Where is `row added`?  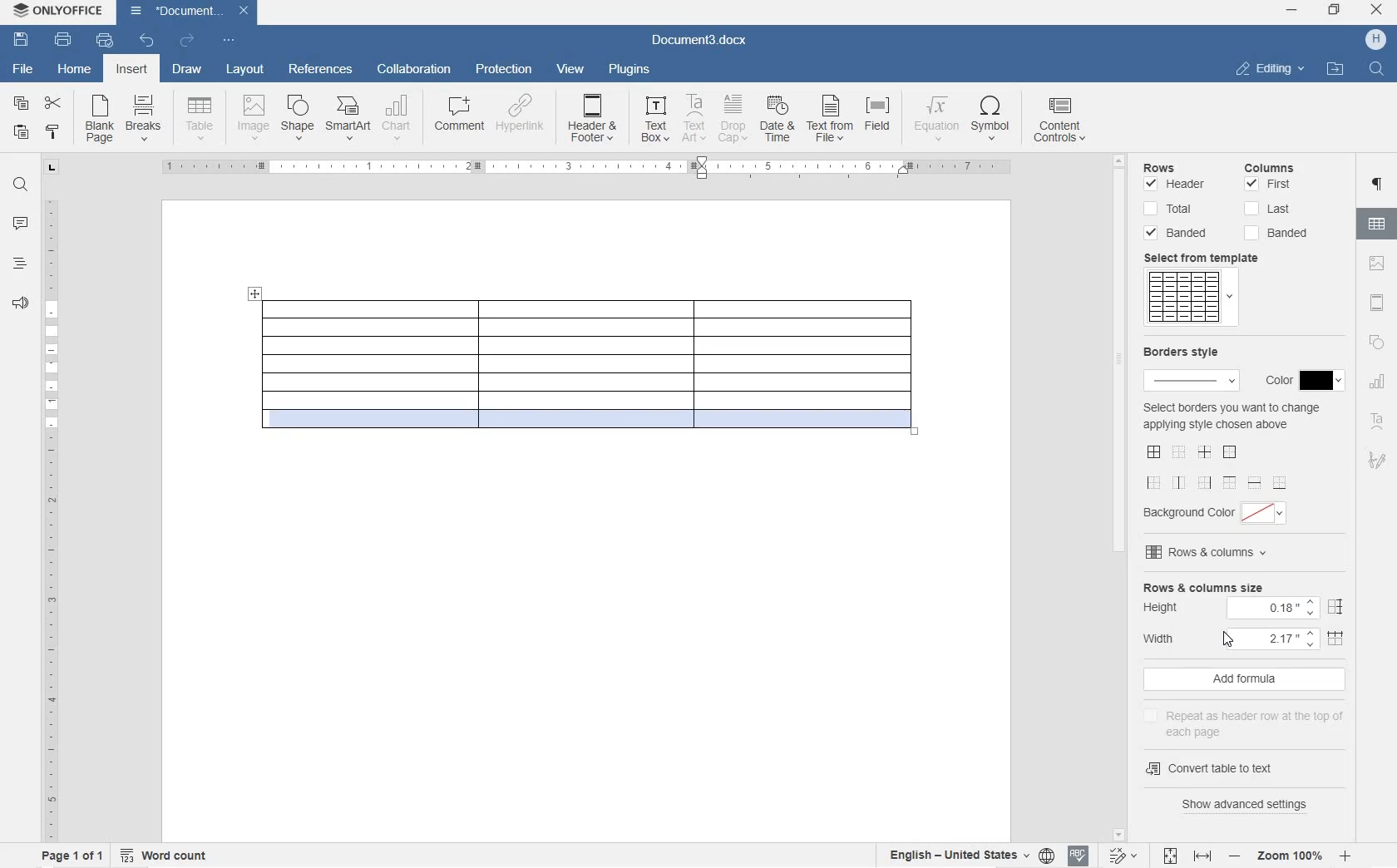
row added is located at coordinates (584, 431).